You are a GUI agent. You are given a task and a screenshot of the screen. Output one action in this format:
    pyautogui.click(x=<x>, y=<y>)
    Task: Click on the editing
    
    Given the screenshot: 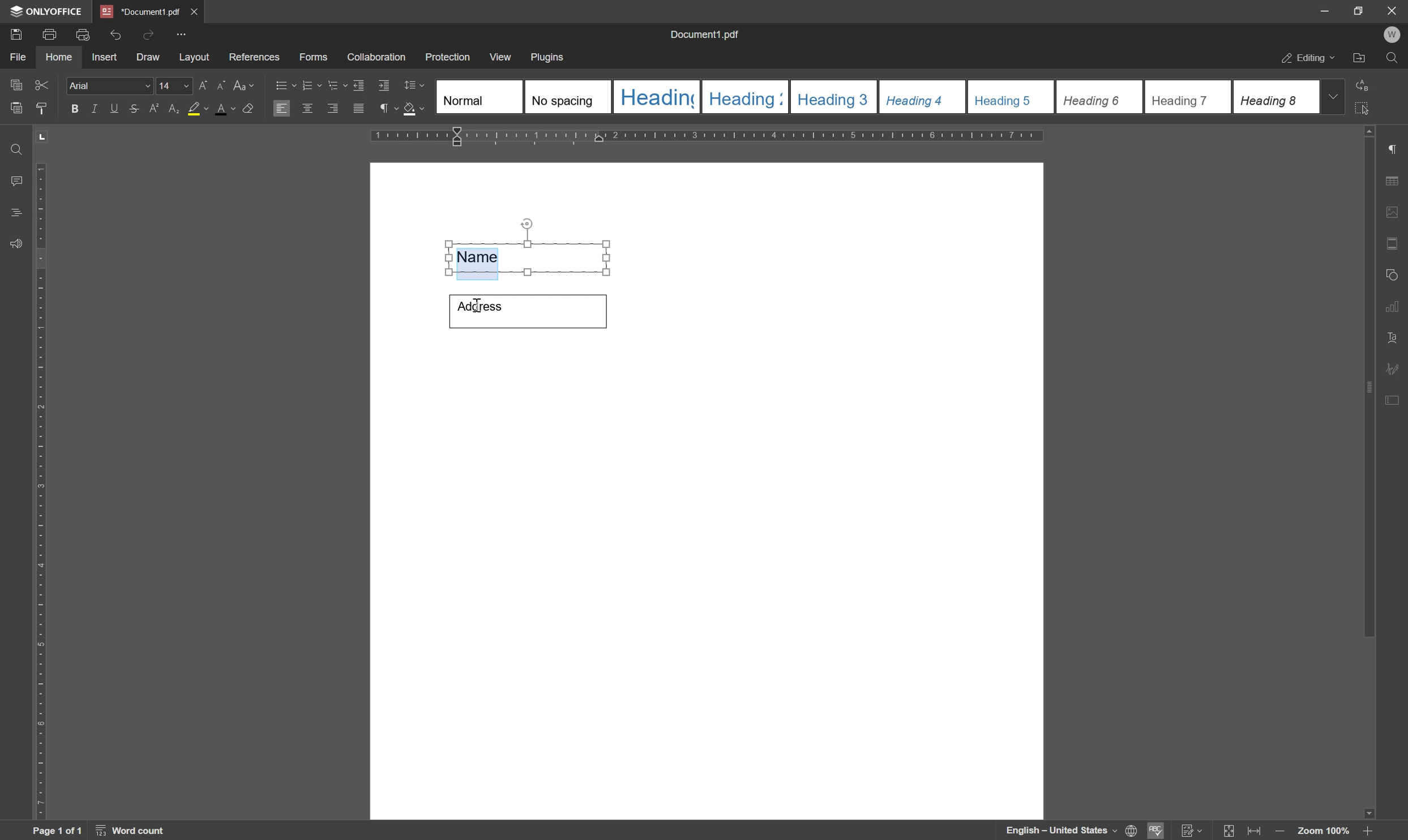 What is the action you would take?
    pyautogui.click(x=1307, y=59)
    